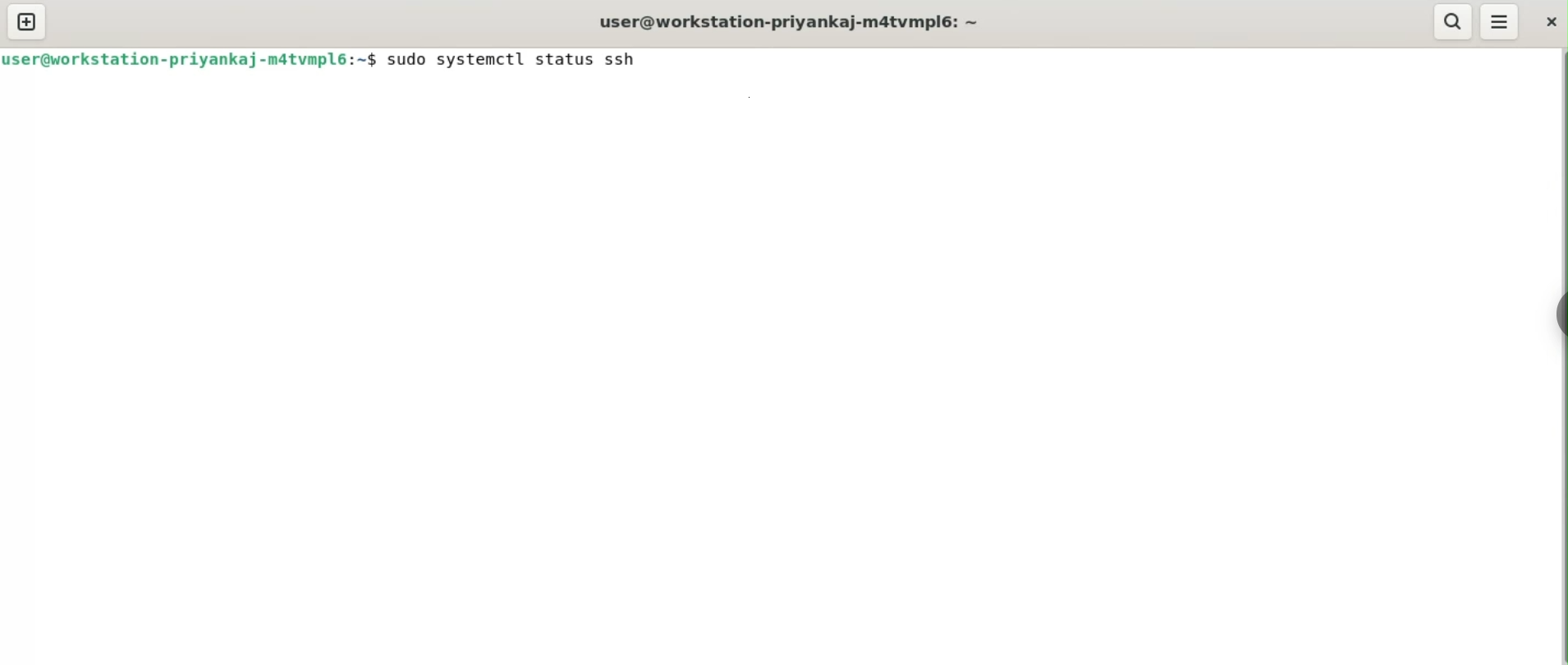  Describe the element at coordinates (1552, 323) in the screenshot. I see `Toggle button"` at that location.